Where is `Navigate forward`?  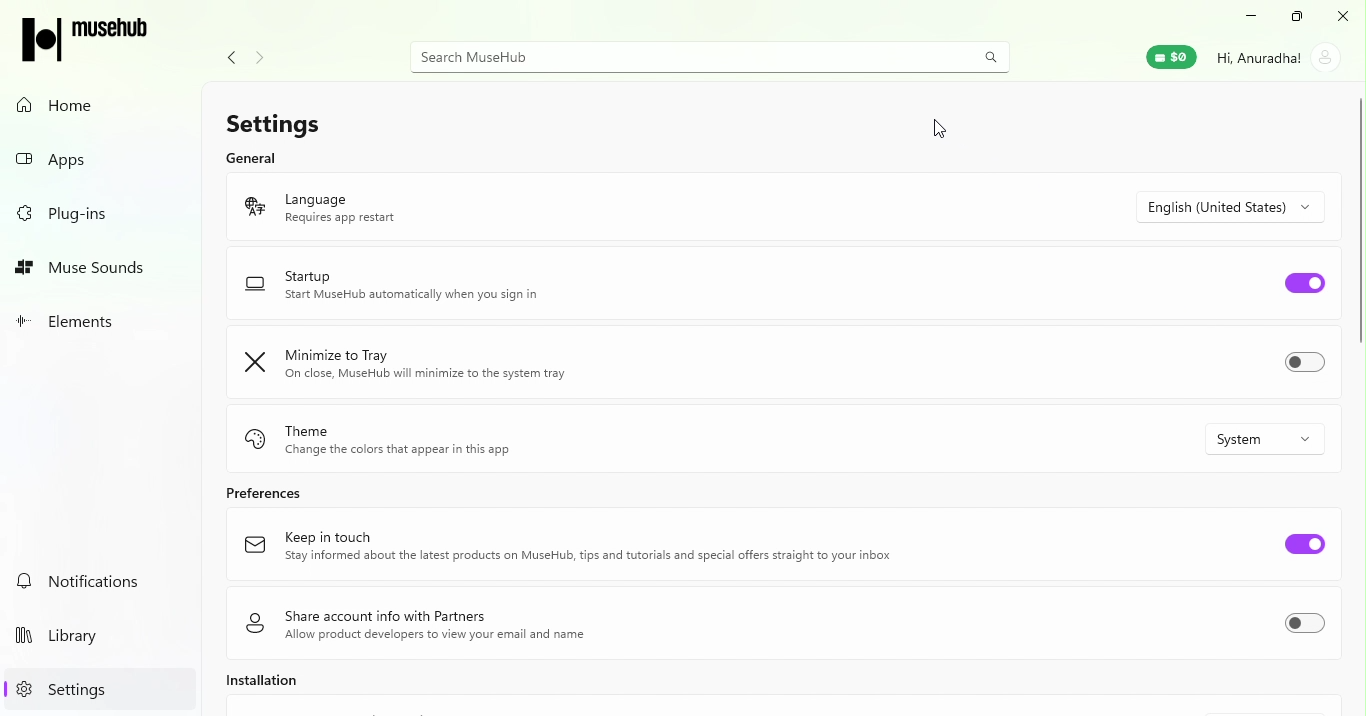
Navigate forward is located at coordinates (258, 54).